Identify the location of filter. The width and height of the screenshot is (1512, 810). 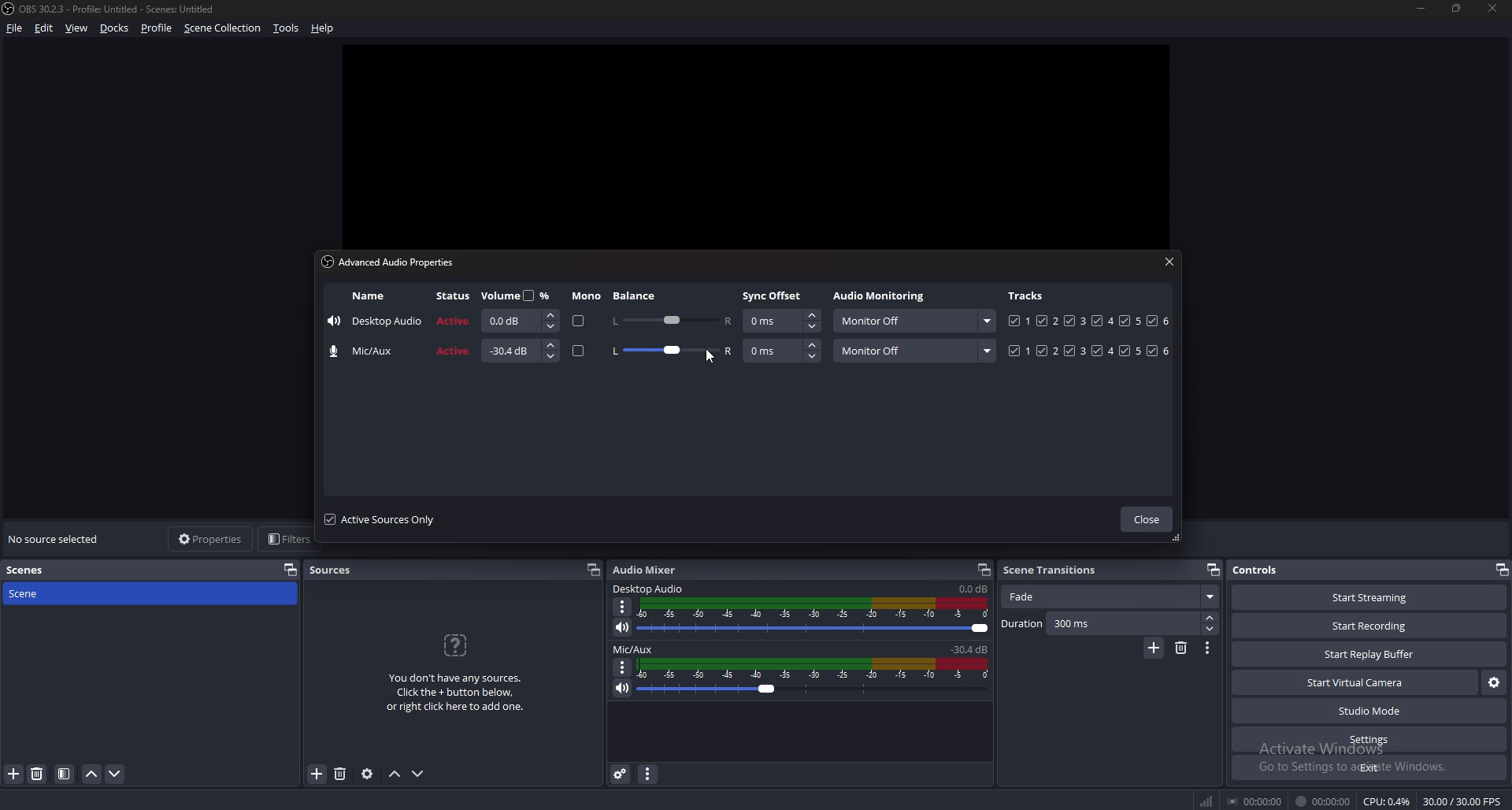
(64, 775).